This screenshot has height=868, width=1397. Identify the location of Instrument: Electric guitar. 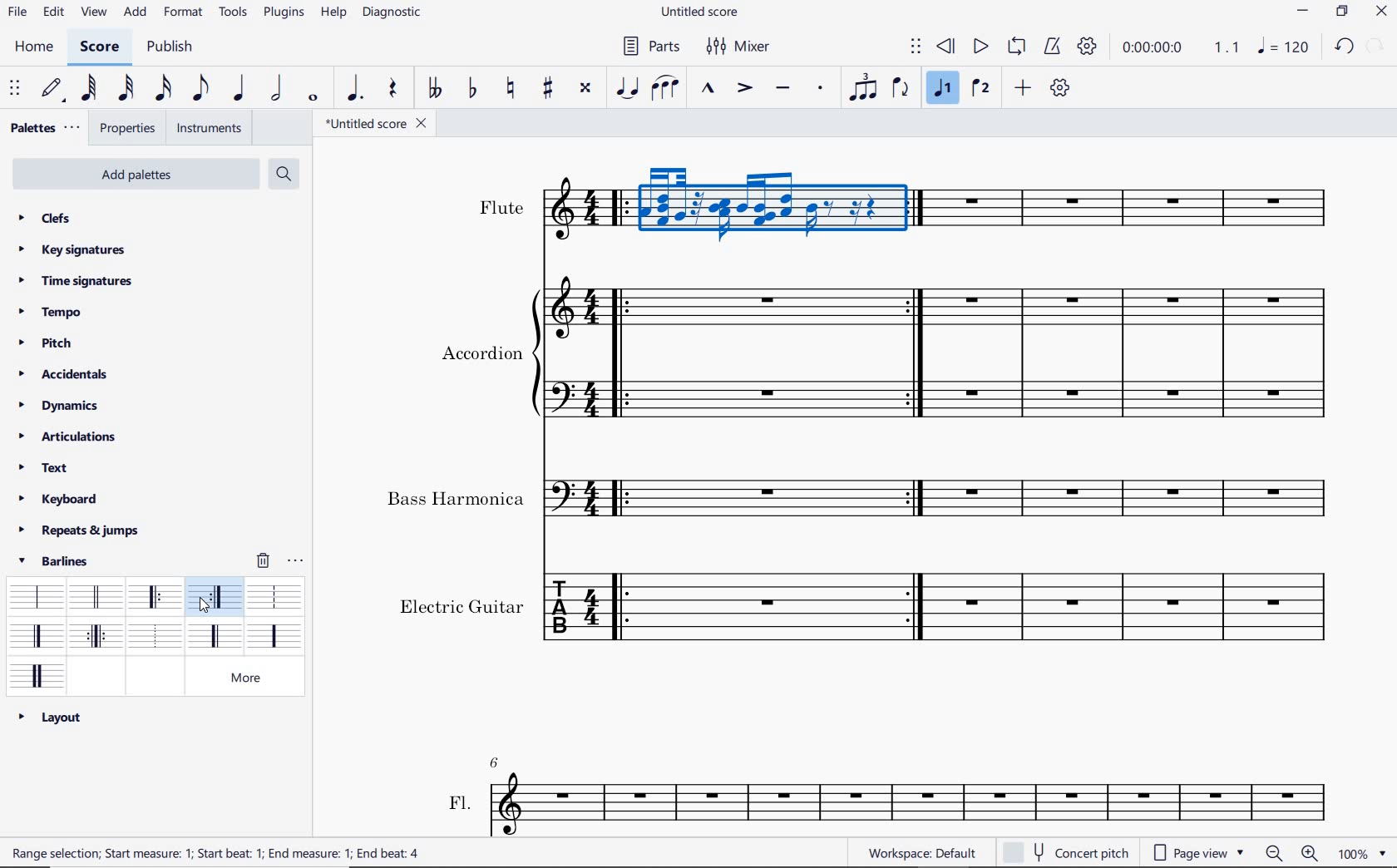
(1135, 606).